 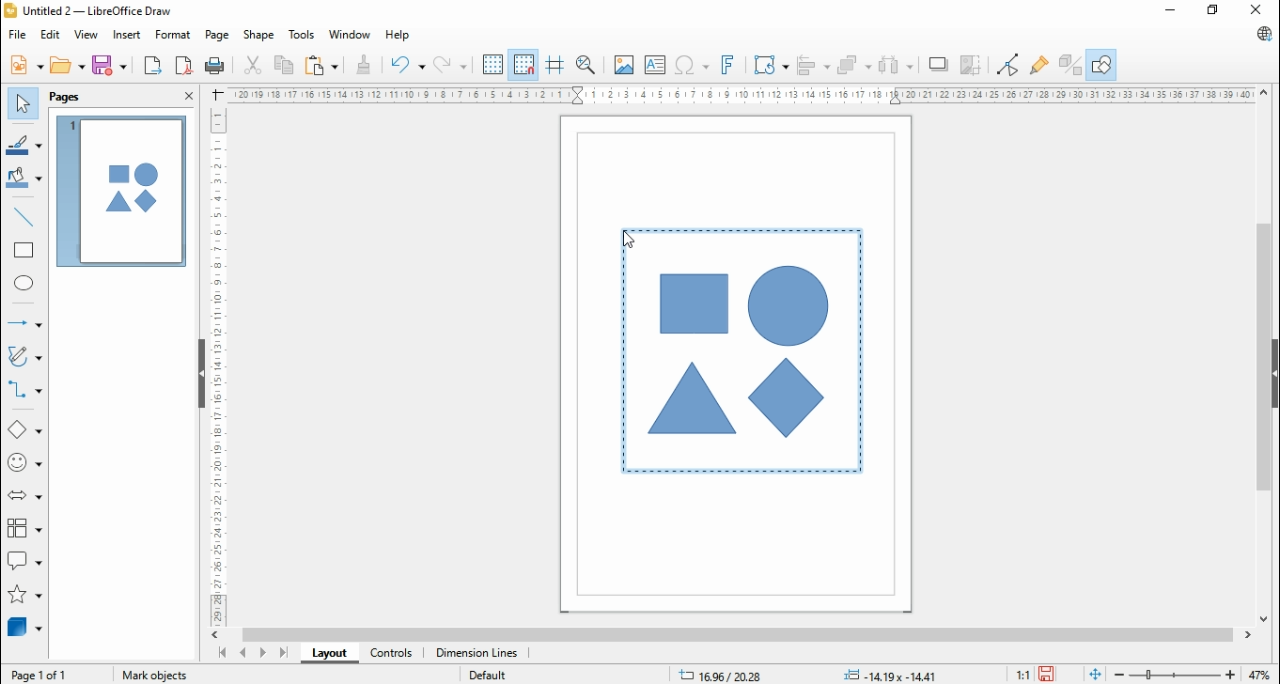 What do you see at coordinates (523, 64) in the screenshot?
I see `snap to grids` at bounding box center [523, 64].